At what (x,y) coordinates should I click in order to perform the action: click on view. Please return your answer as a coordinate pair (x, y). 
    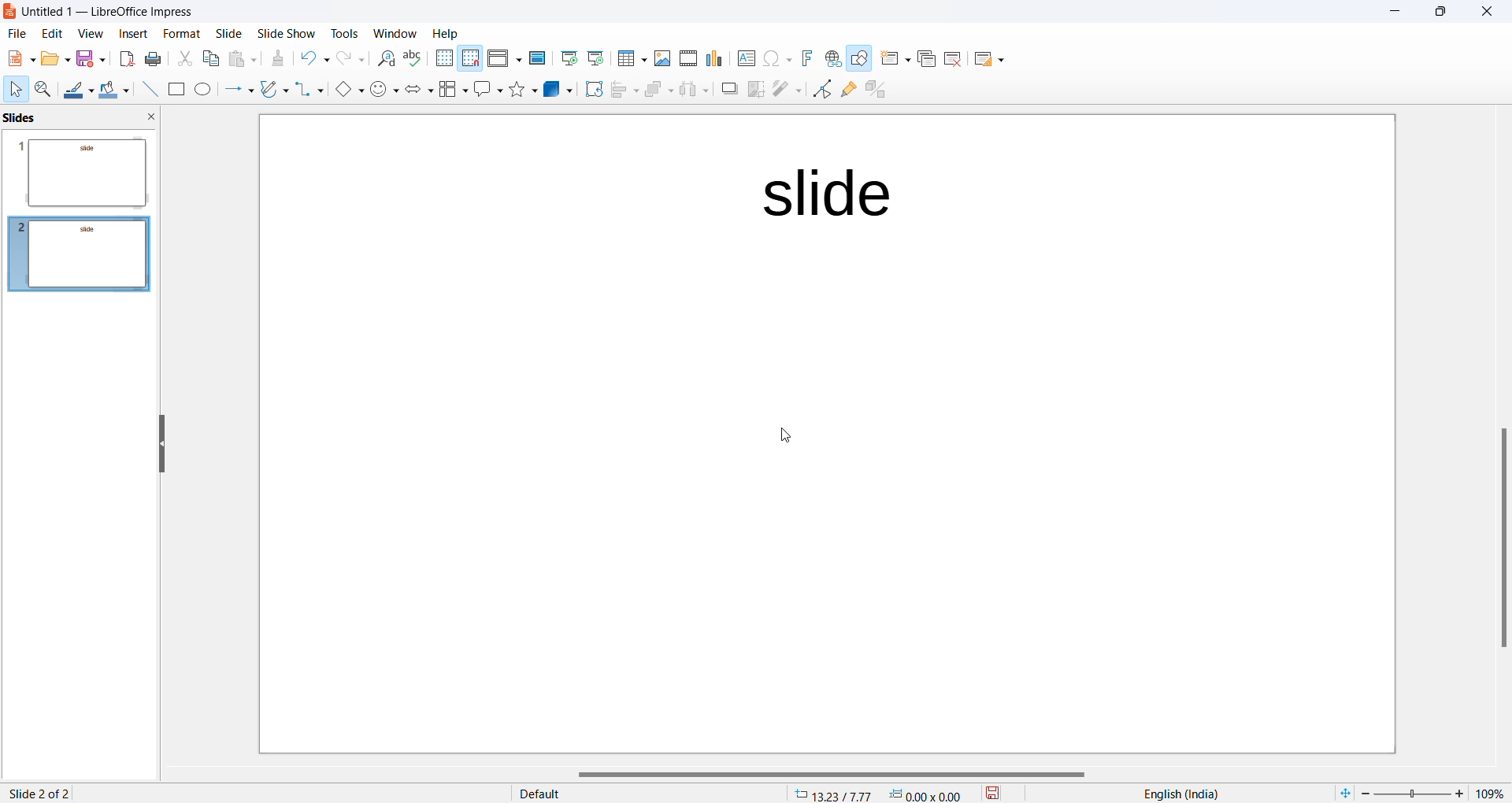
    Looking at the image, I should click on (87, 35).